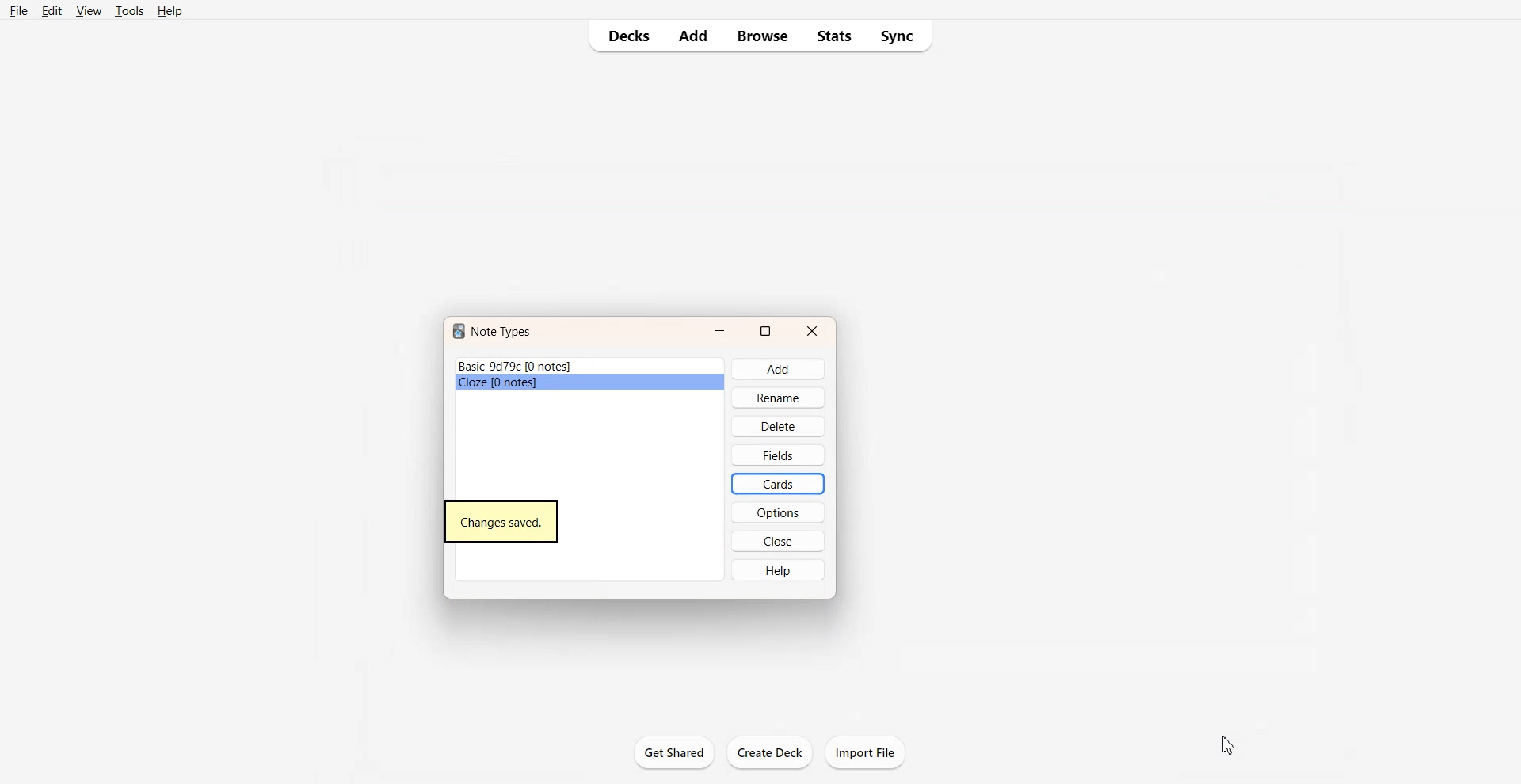 Image resolution: width=1521 pixels, height=784 pixels. I want to click on Browse, so click(761, 36).